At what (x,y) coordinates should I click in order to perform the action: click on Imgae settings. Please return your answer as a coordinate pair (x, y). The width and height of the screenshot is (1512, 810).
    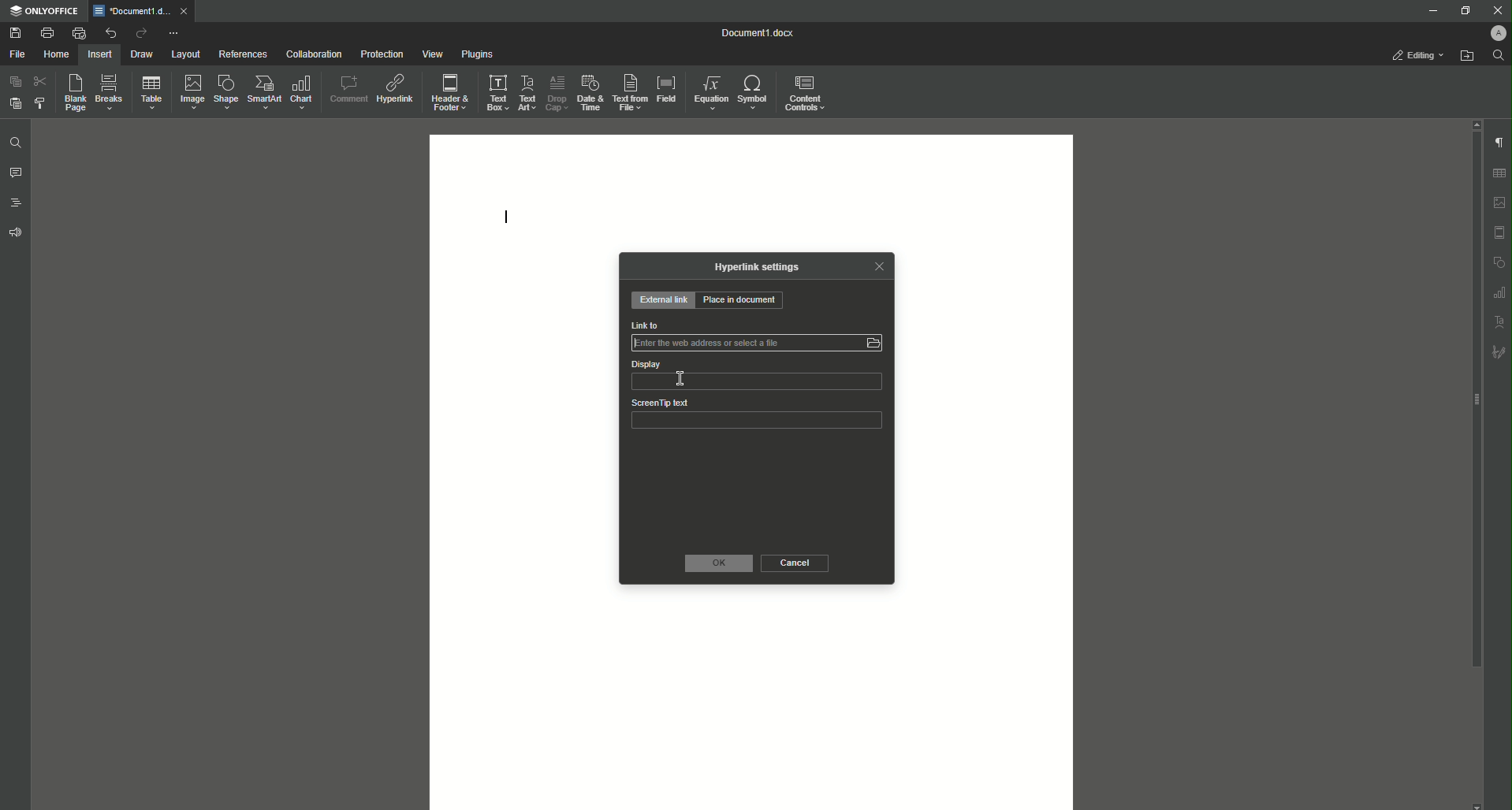
    Looking at the image, I should click on (1500, 203).